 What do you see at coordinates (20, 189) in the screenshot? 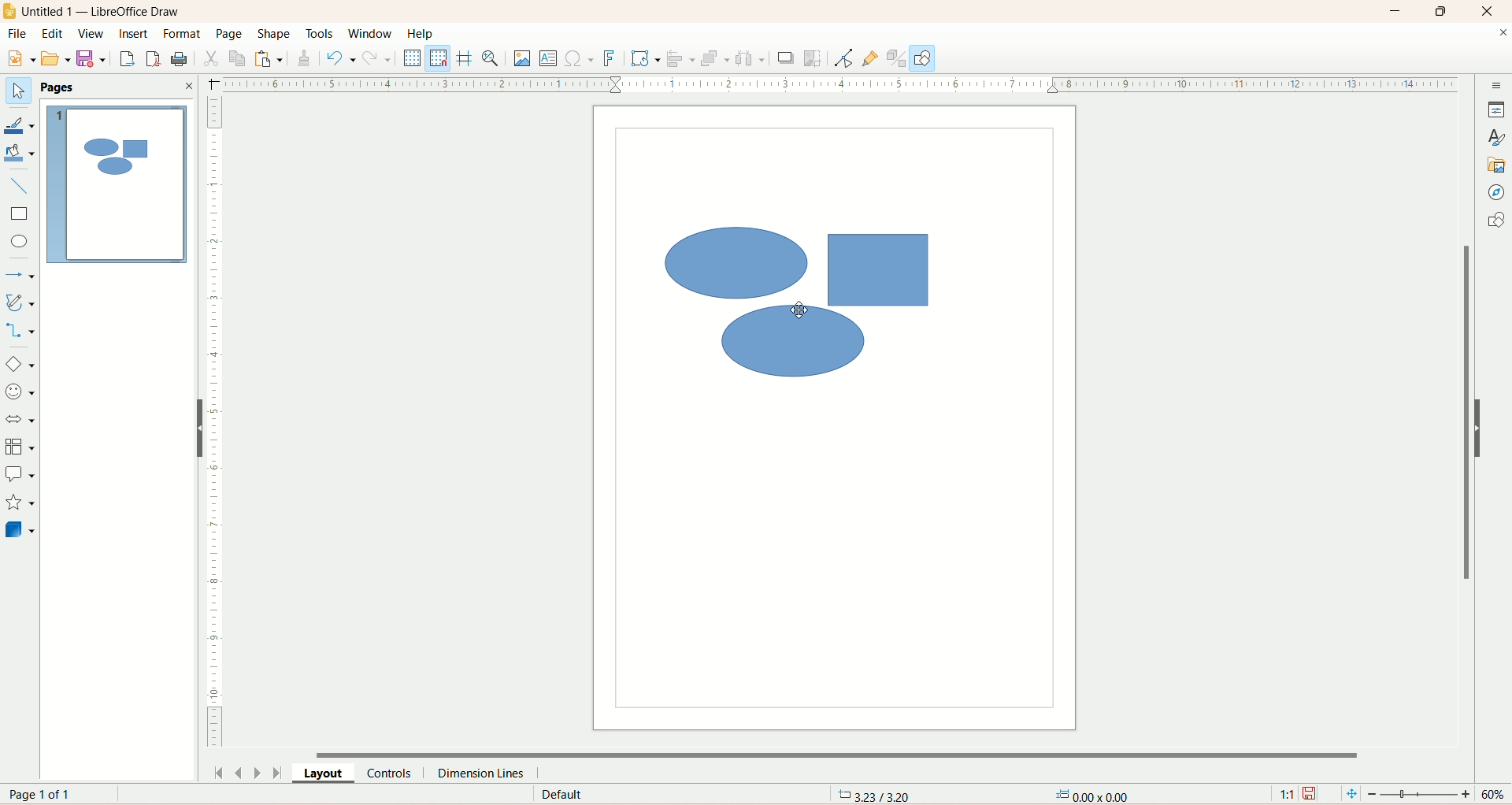
I see `insert line` at bounding box center [20, 189].